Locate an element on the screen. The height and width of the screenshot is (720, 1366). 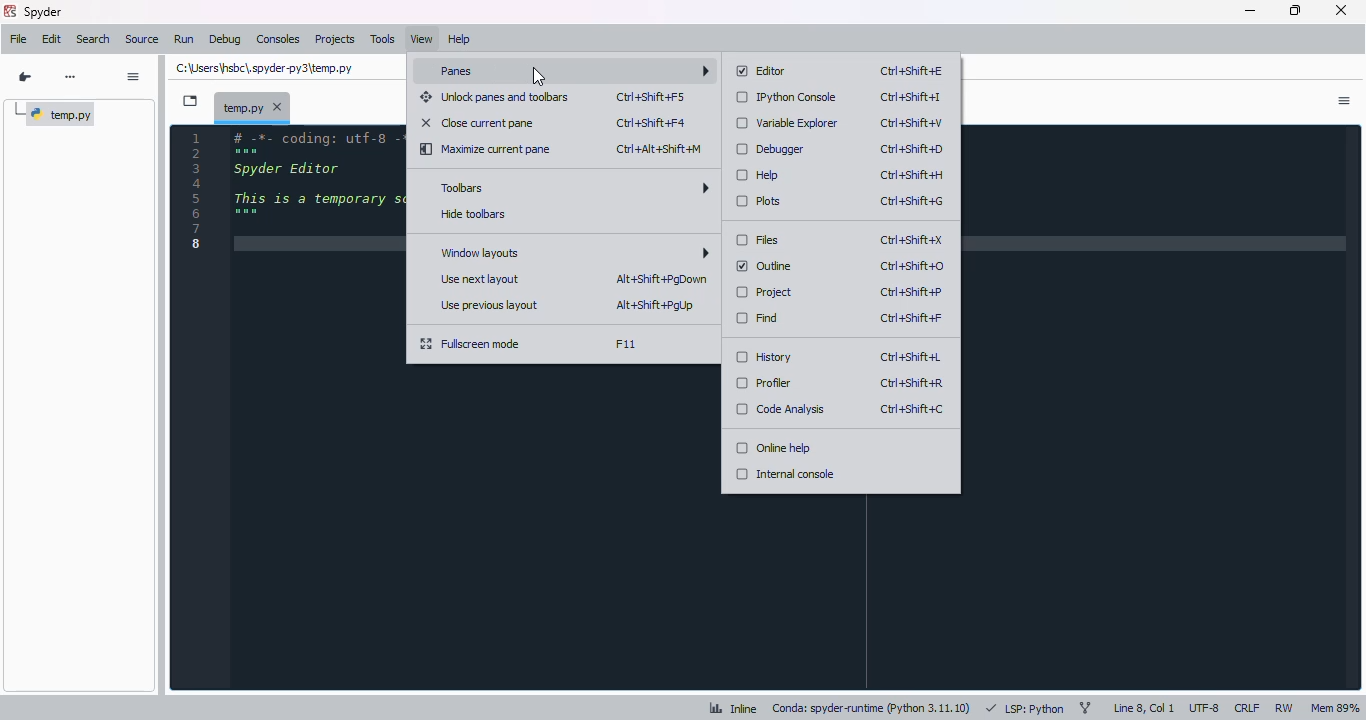
options is located at coordinates (135, 77).